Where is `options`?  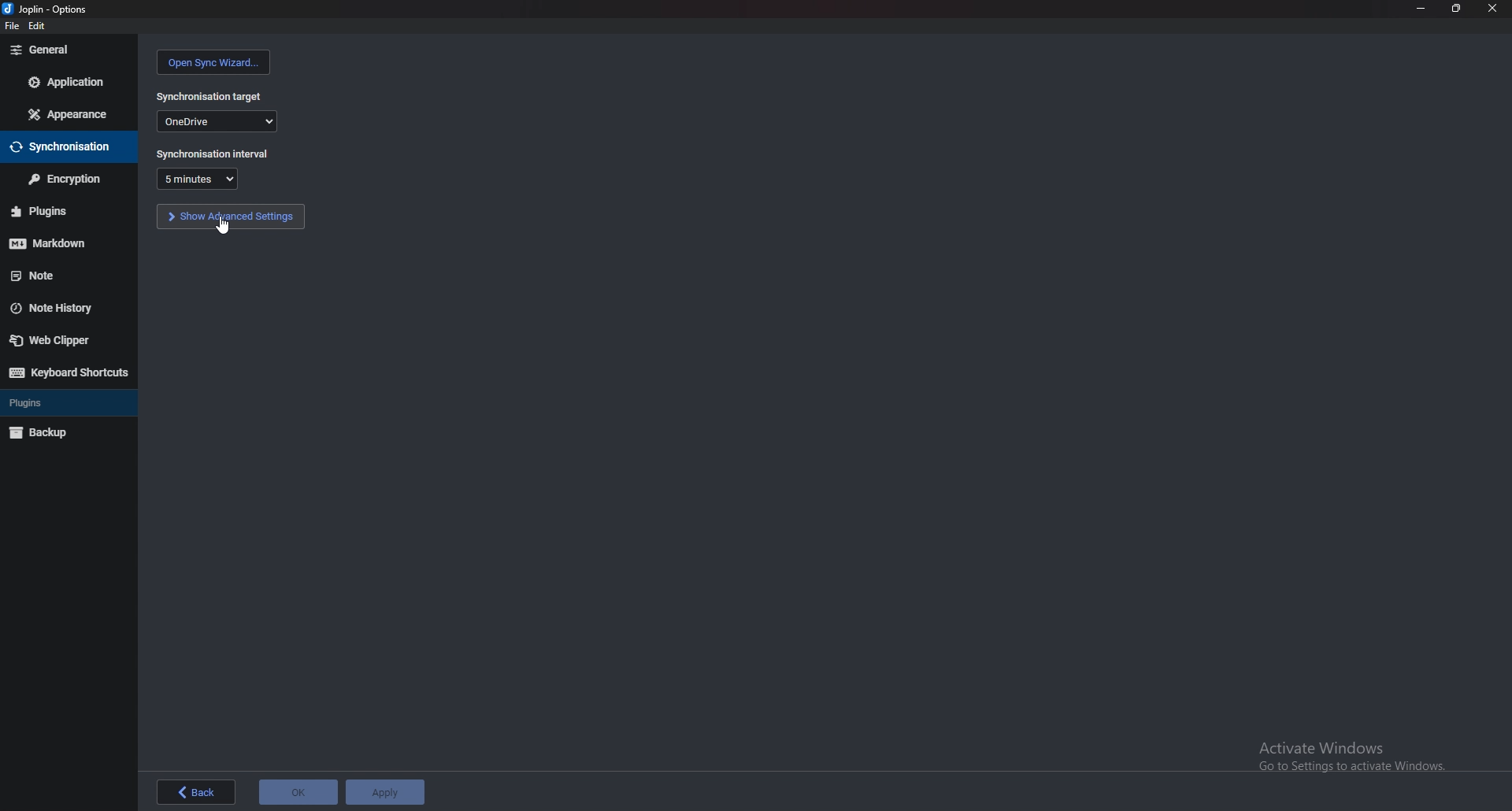
options is located at coordinates (48, 9).